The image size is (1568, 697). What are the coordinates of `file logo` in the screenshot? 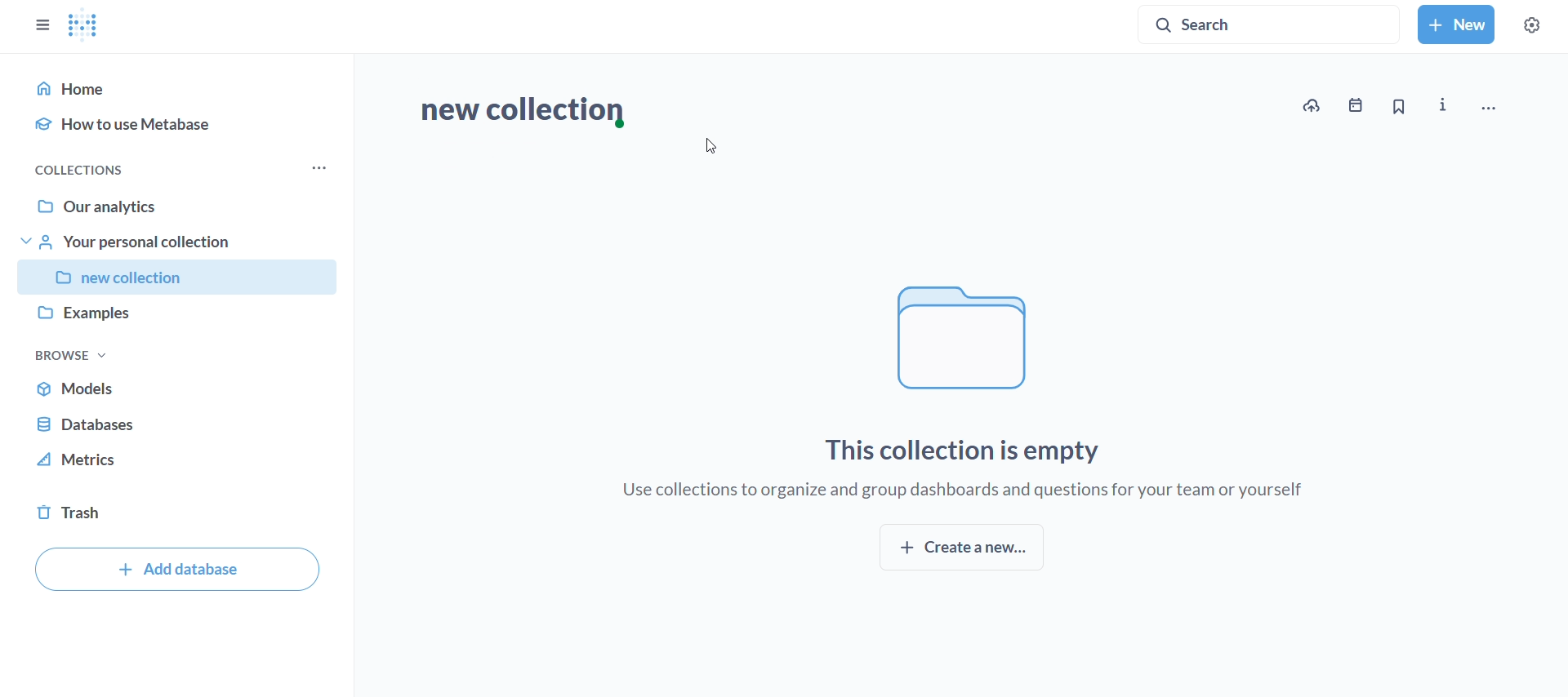 It's located at (968, 338).